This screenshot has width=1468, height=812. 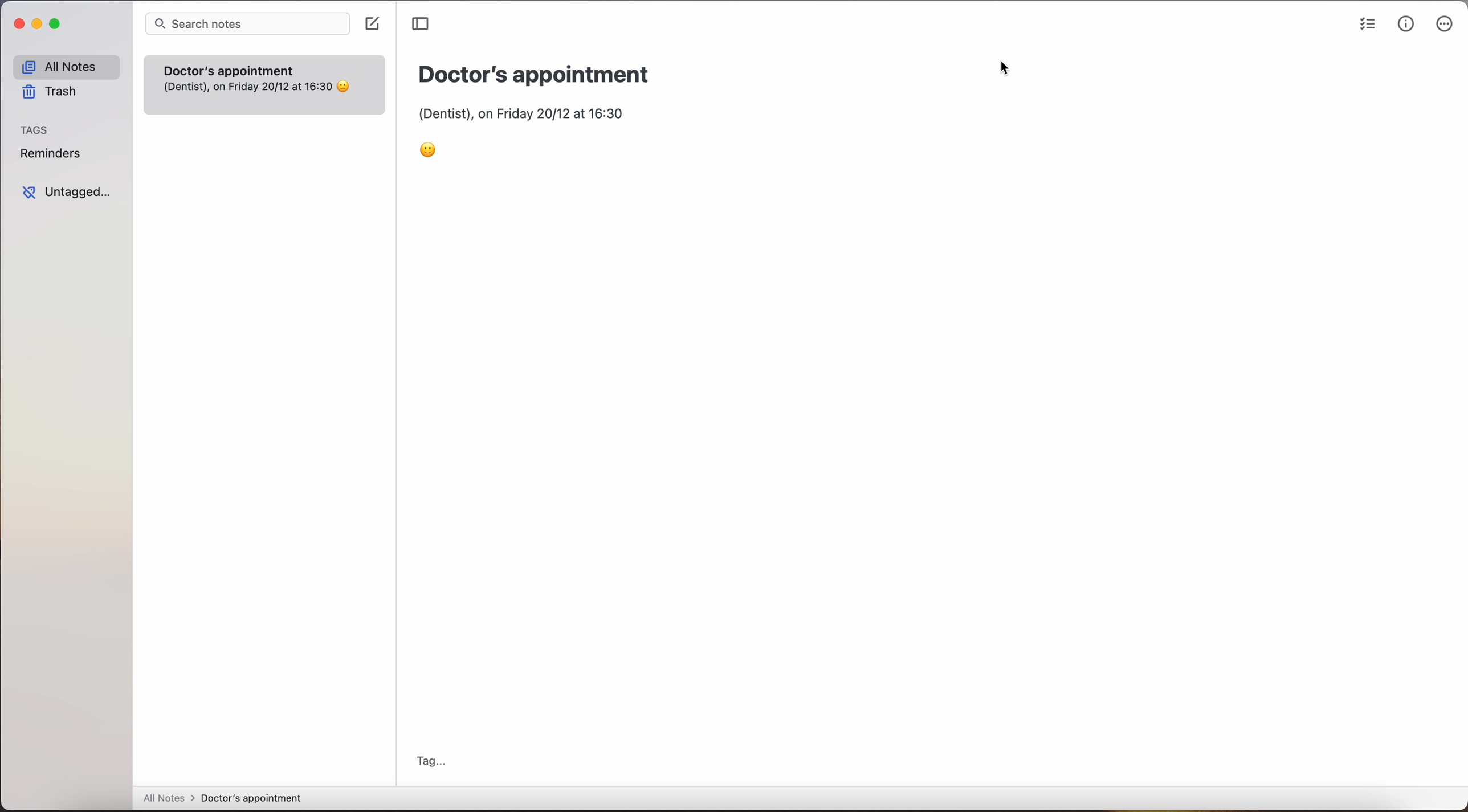 I want to click on tags, so click(x=35, y=130).